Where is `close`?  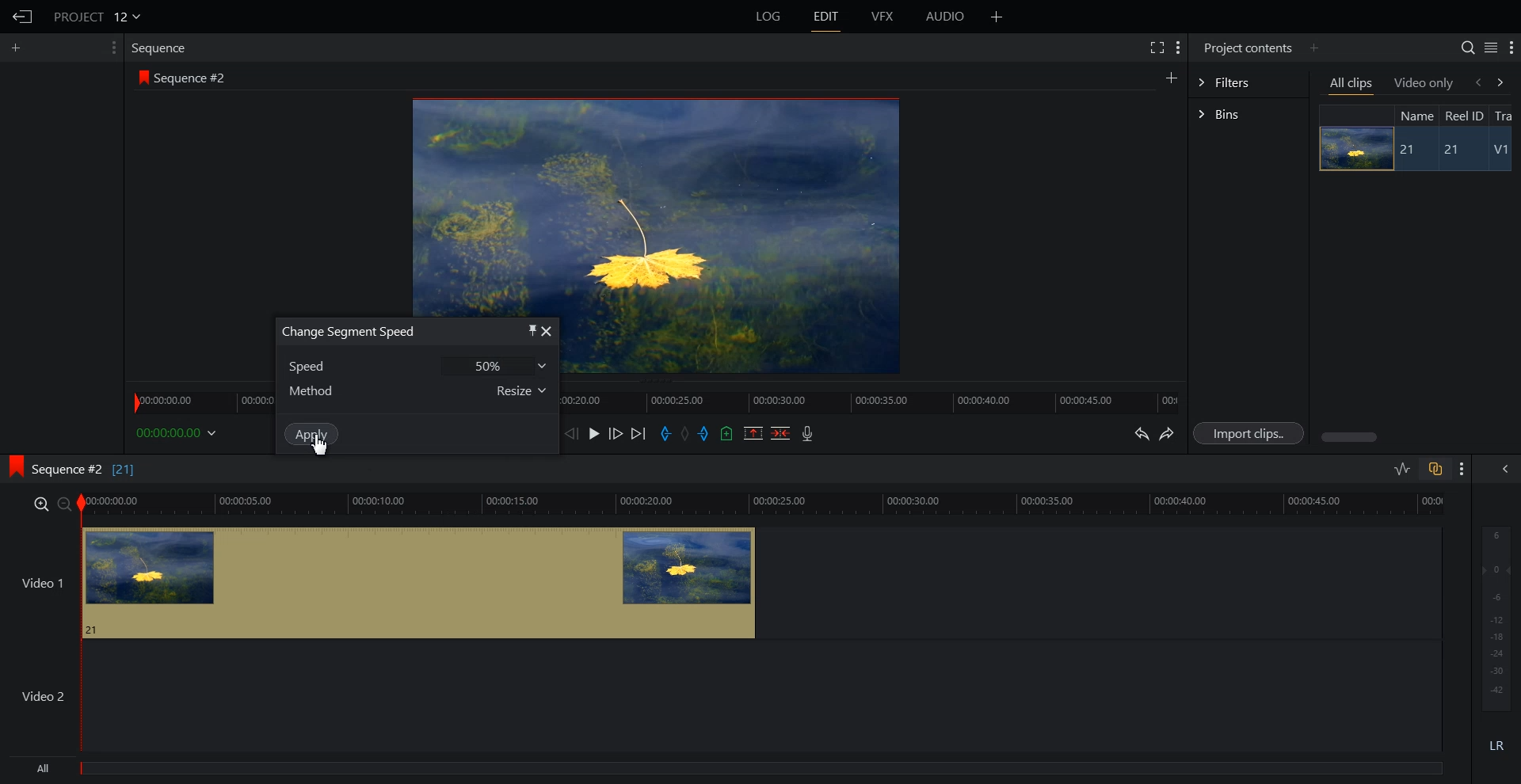 close is located at coordinates (549, 331).